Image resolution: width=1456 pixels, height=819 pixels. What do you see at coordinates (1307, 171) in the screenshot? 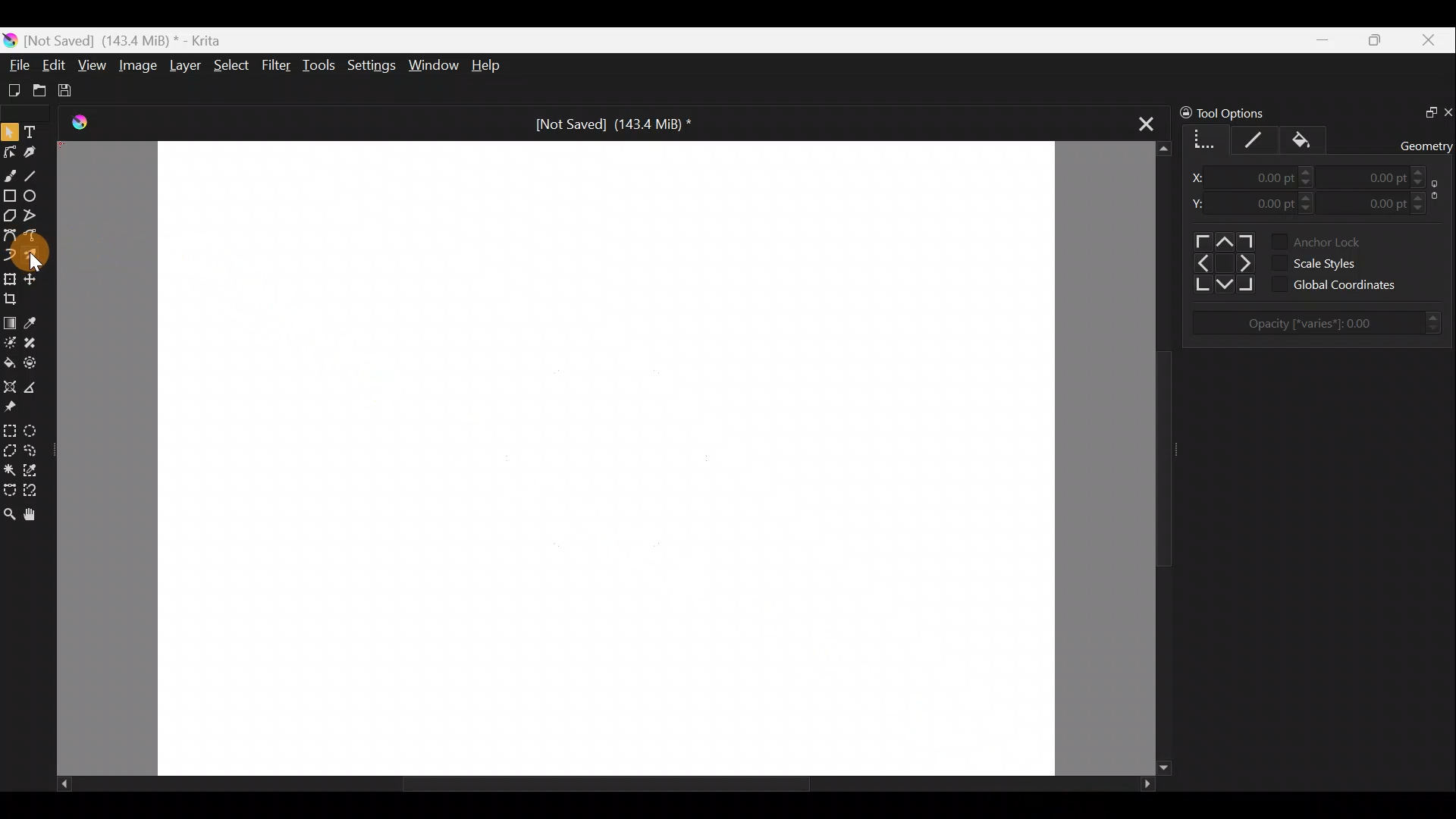
I see `Increase` at bounding box center [1307, 171].